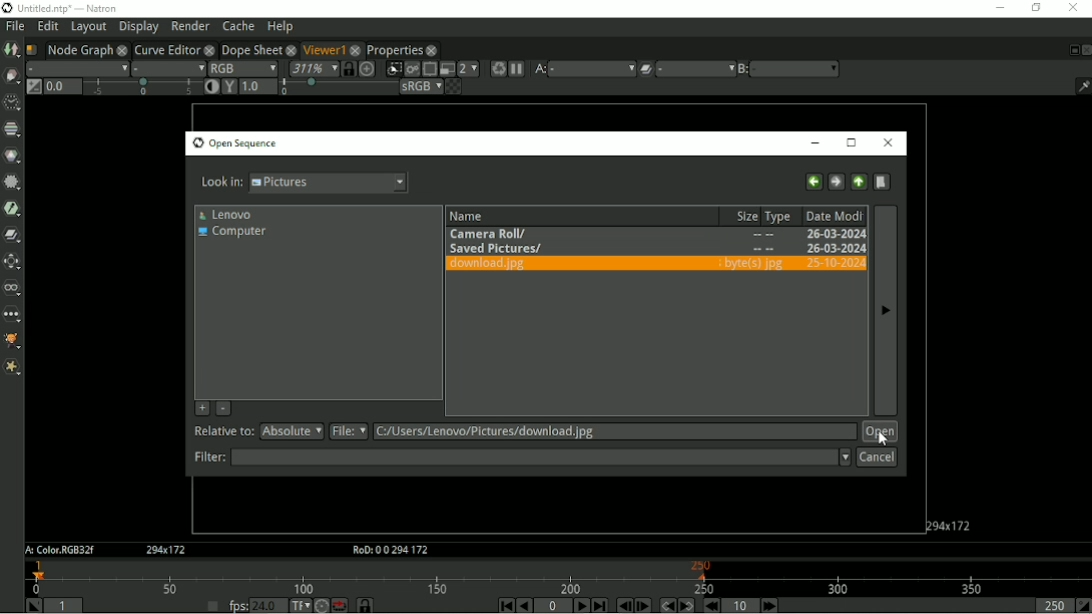 The height and width of the screenshot is (614, 1092). I want to click on Forces a new render of the current frame, so click(497, 68).